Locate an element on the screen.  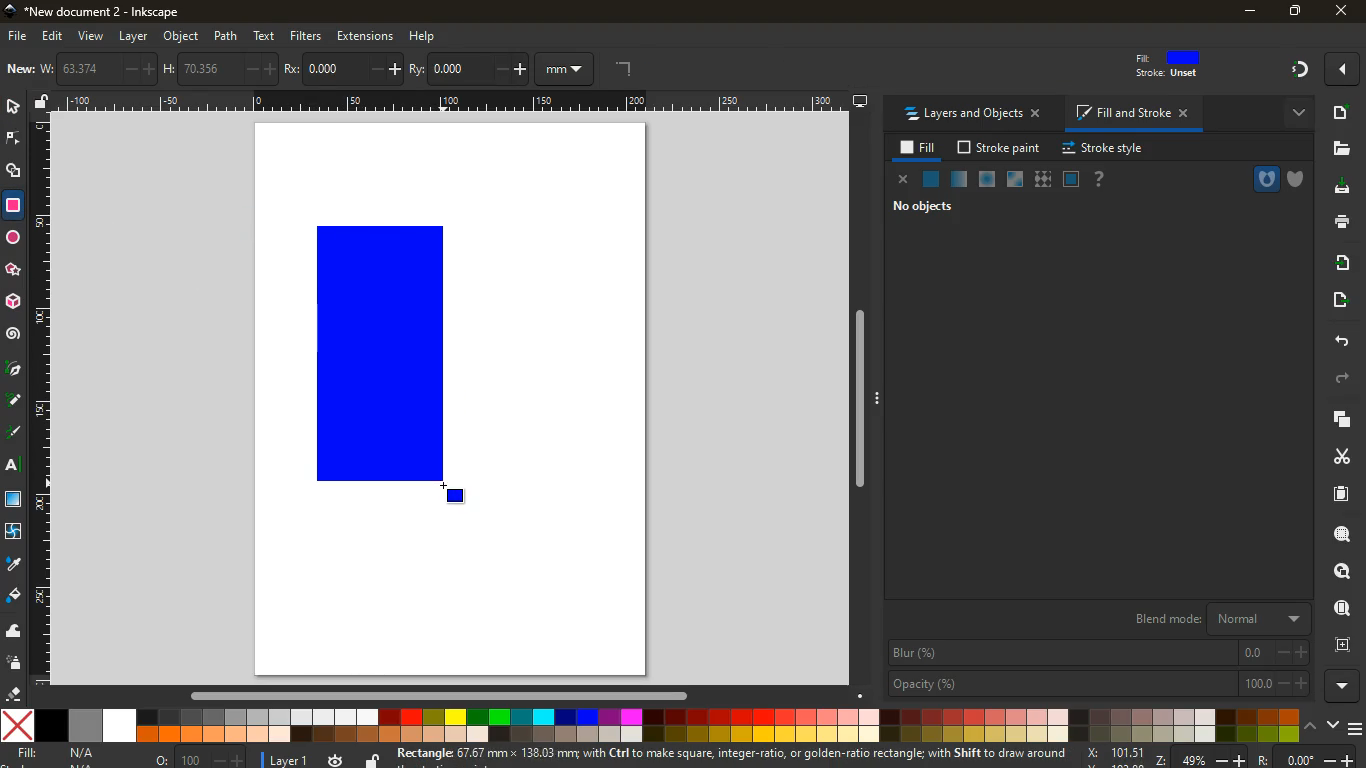
zoom is located at coordinates (1220, 756).